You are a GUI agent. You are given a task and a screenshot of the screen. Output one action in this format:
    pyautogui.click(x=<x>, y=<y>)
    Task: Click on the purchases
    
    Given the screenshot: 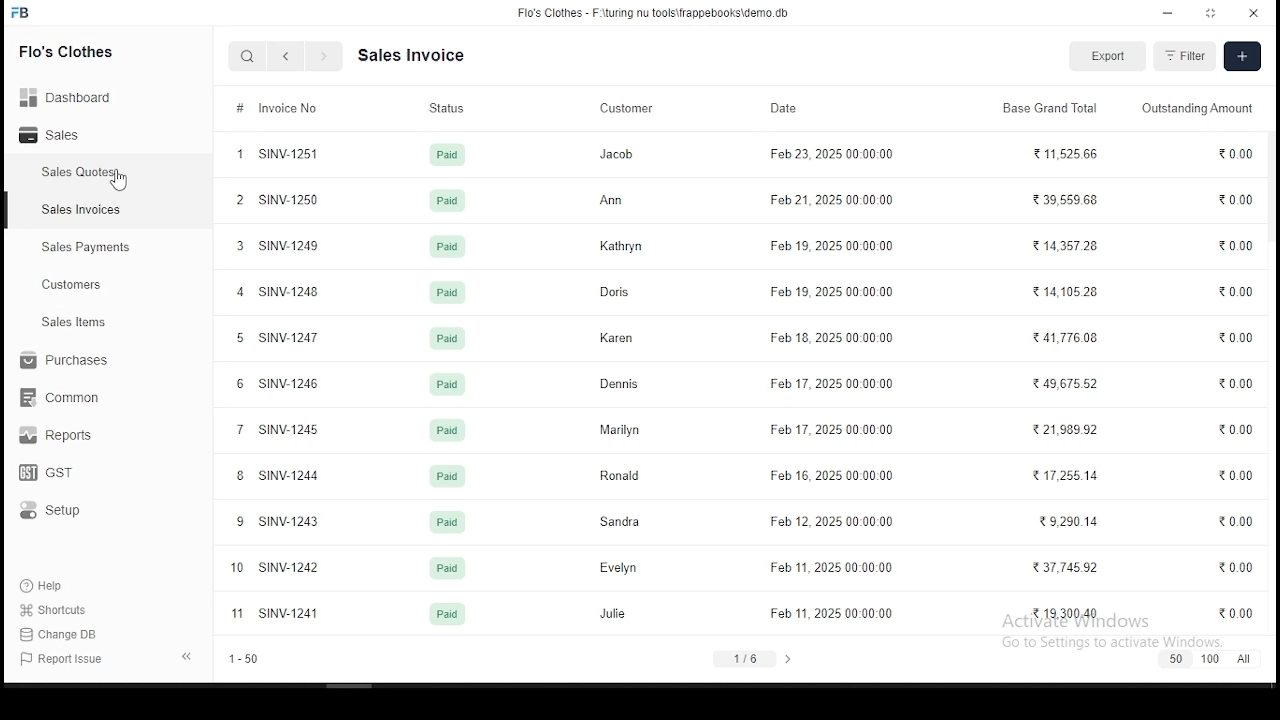 What is the action you would take?
    pyautogui.click(x=64, y=362)
    